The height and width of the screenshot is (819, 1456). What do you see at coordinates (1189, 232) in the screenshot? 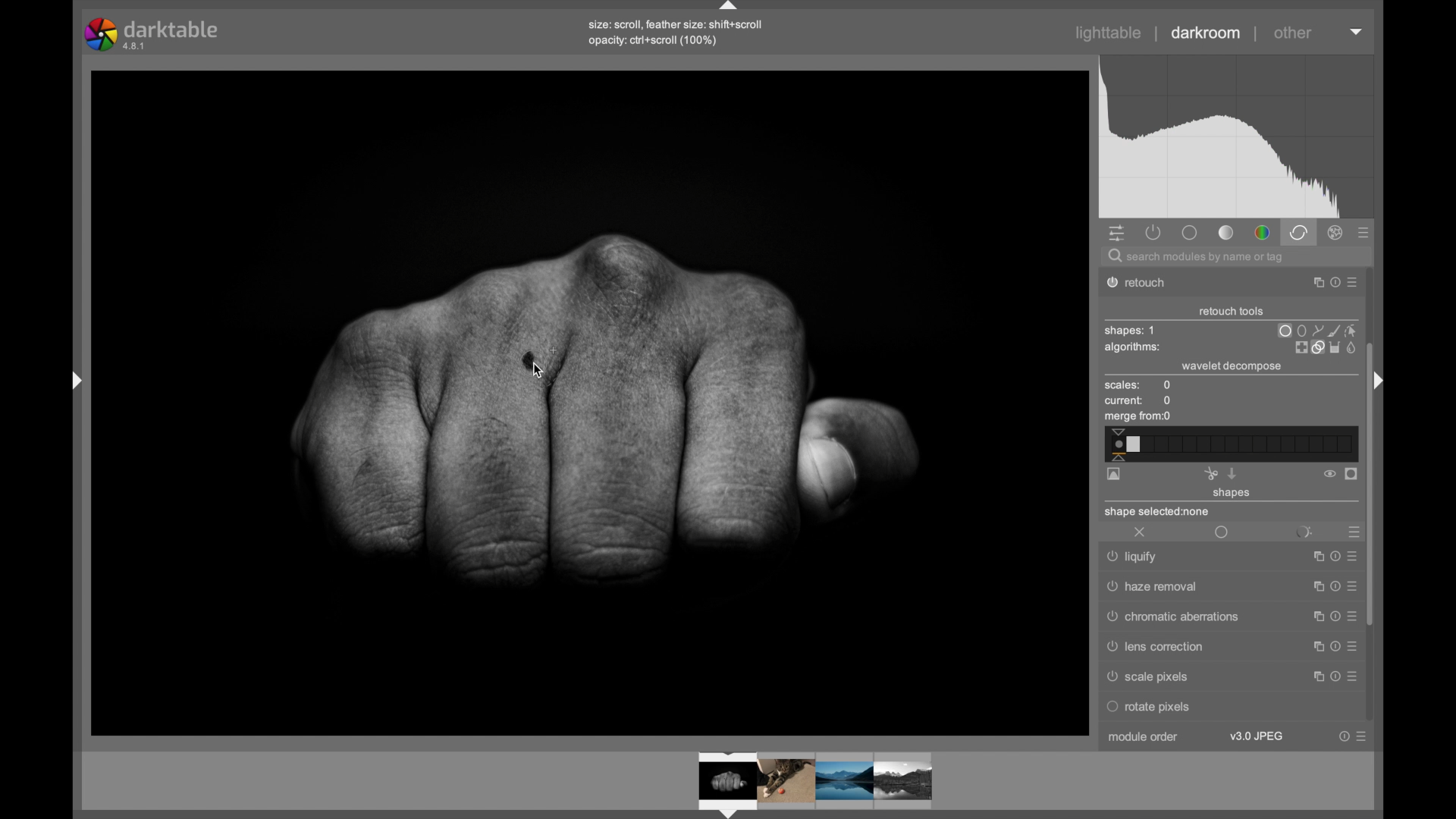
I see `base` at bounding box center [1189, 232].